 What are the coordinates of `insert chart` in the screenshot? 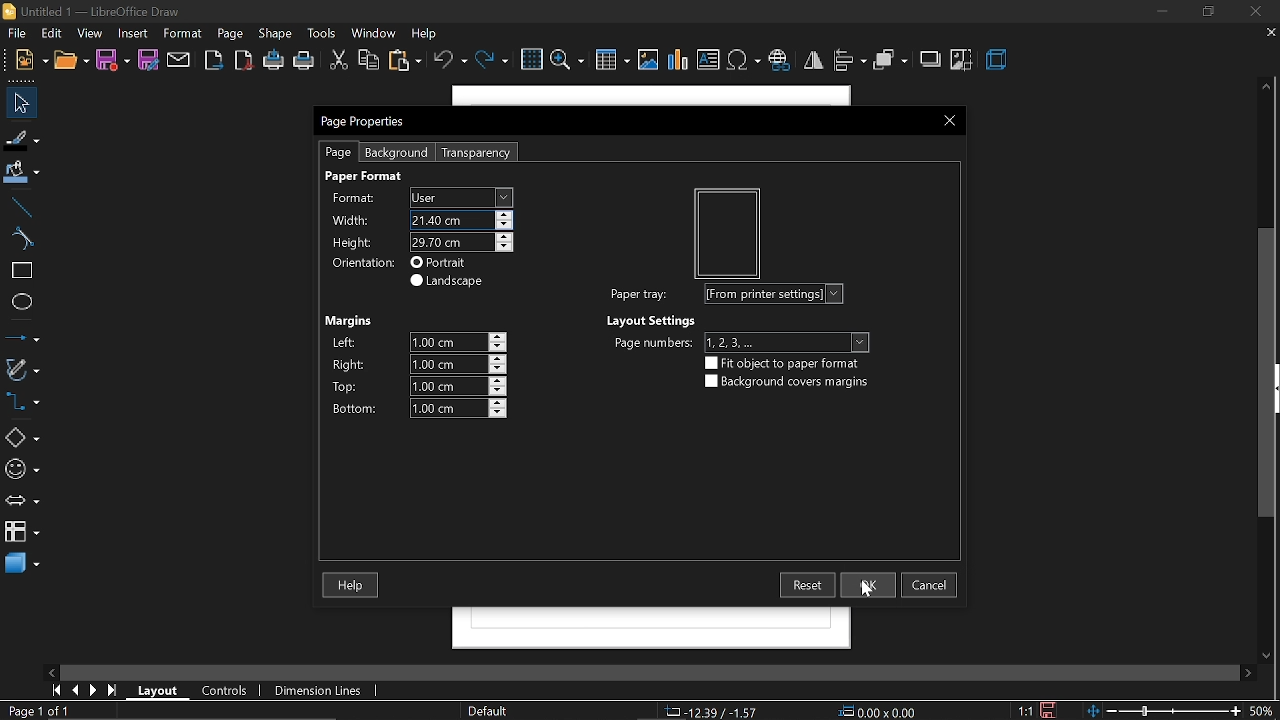 It's located at (678, 59).